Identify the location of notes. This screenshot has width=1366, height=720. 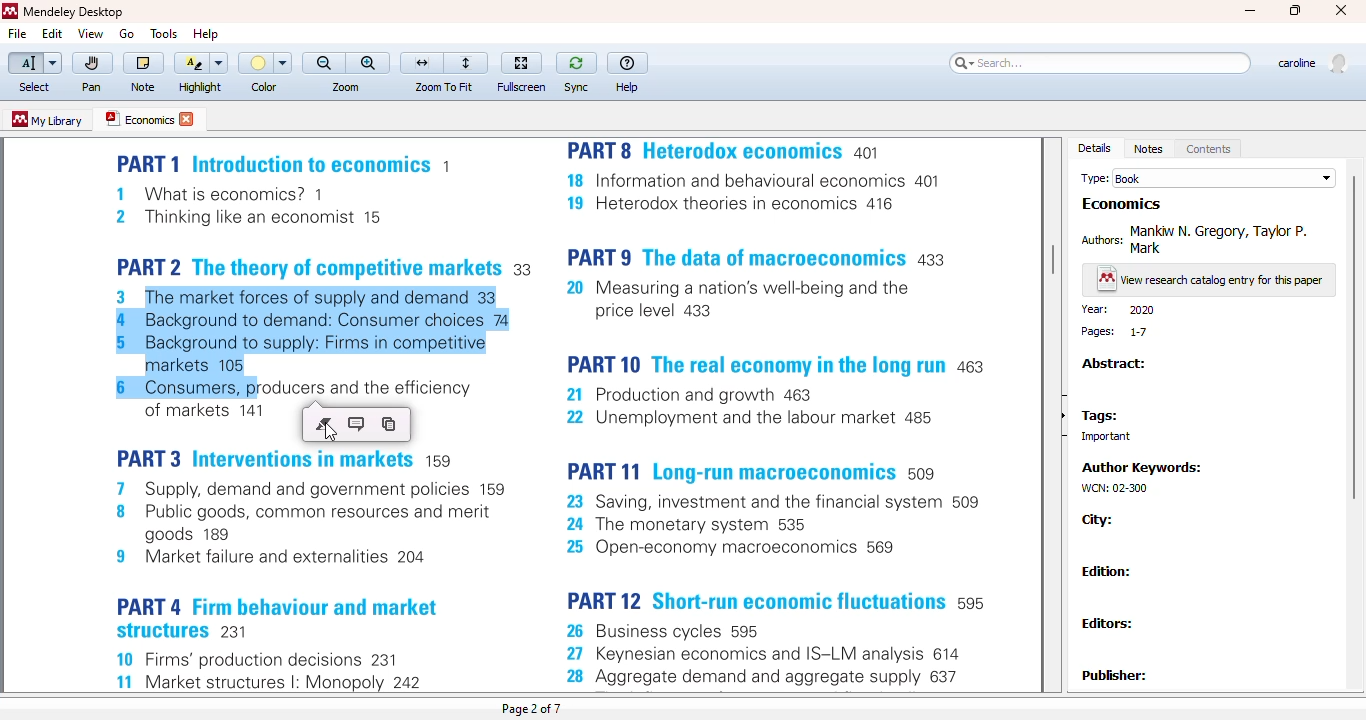
(1148, 149).